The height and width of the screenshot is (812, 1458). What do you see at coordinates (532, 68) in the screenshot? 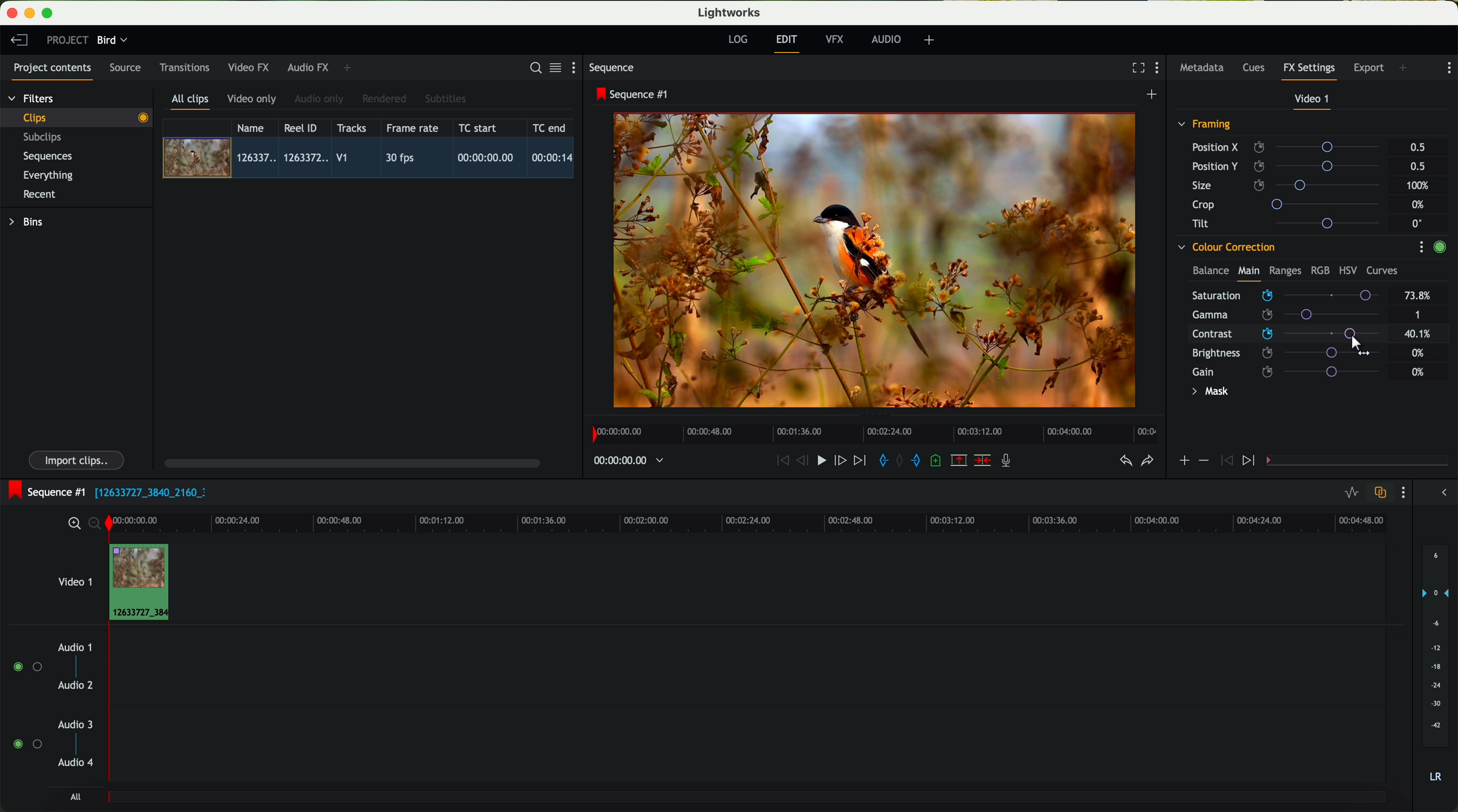
I see `search for assets or bins` at bounding box center [532, 68].